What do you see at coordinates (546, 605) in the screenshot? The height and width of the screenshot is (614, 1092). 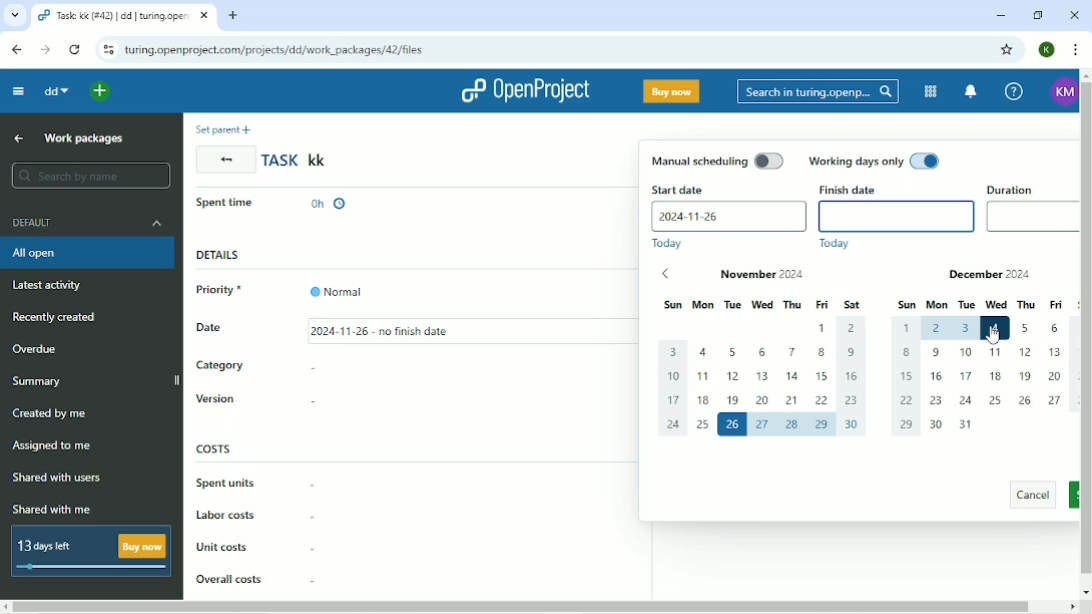 I see `Horizontal scrollbar` at bounding box center [546, 605].